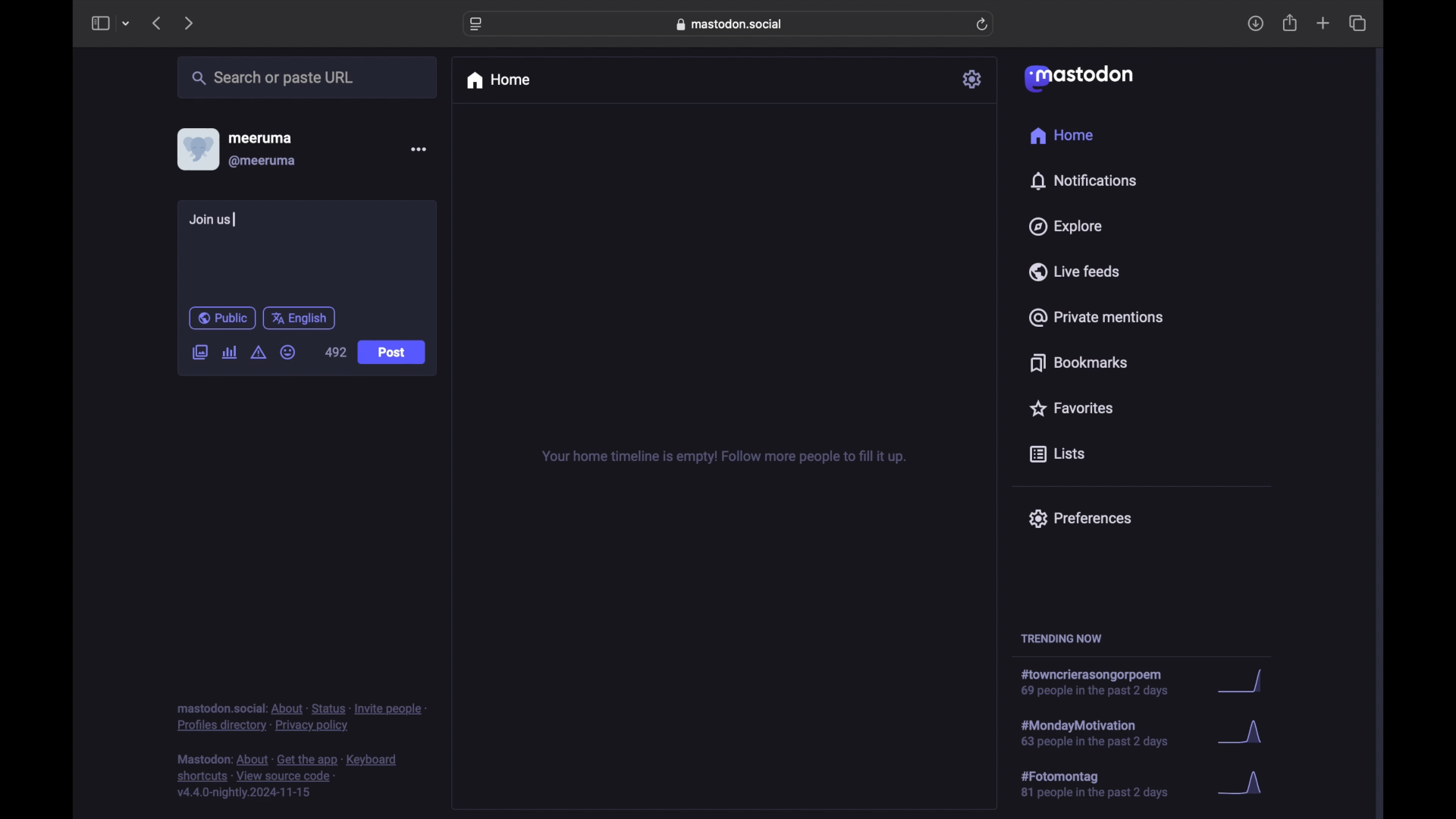 This screenshot has width=1456, height=819. Describe the element at coordinates (229, 352) in the screenshot. I see `add  poll` at that location.